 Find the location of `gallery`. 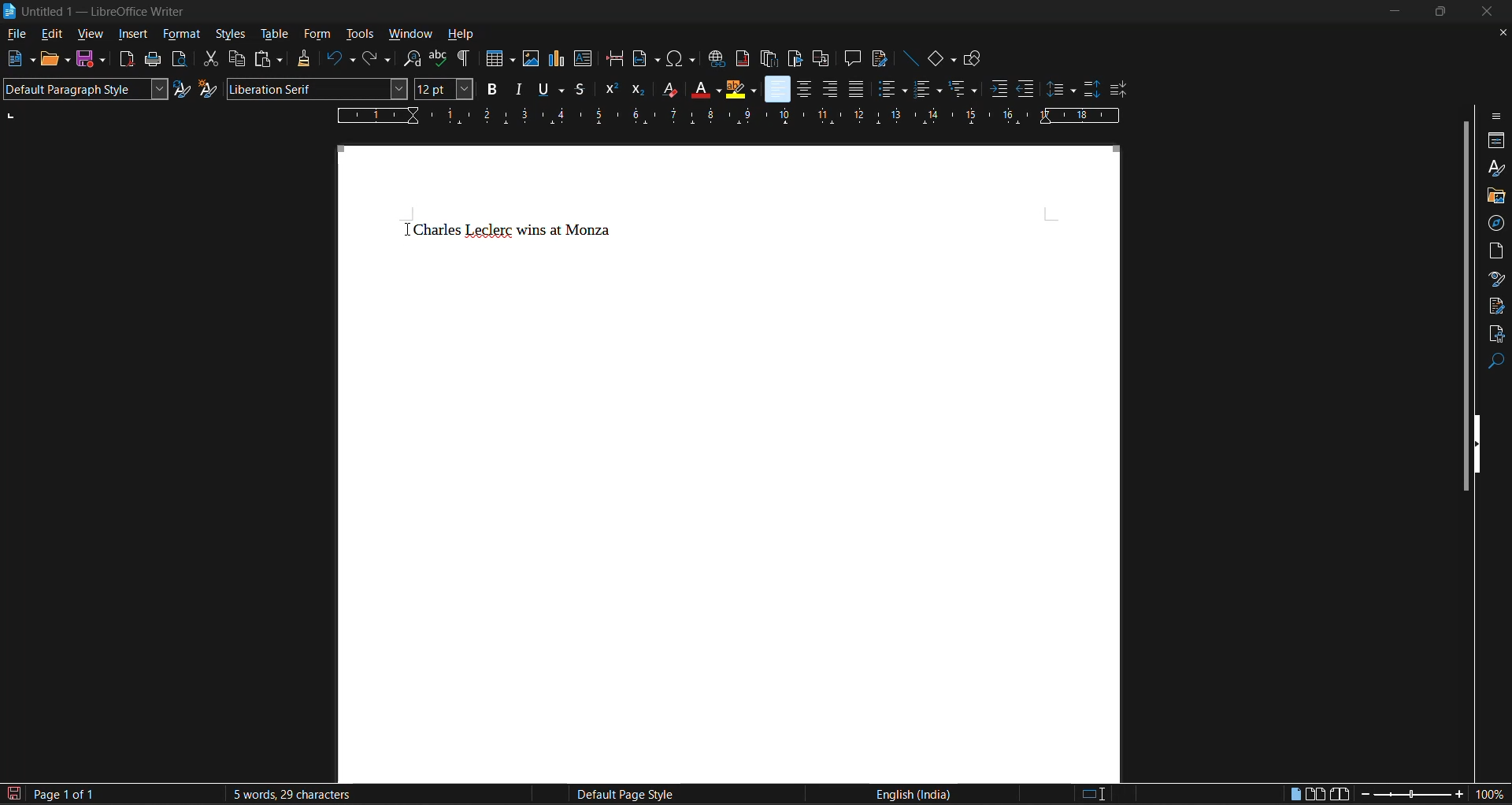

gallery is located at coordinates (1495, 197).